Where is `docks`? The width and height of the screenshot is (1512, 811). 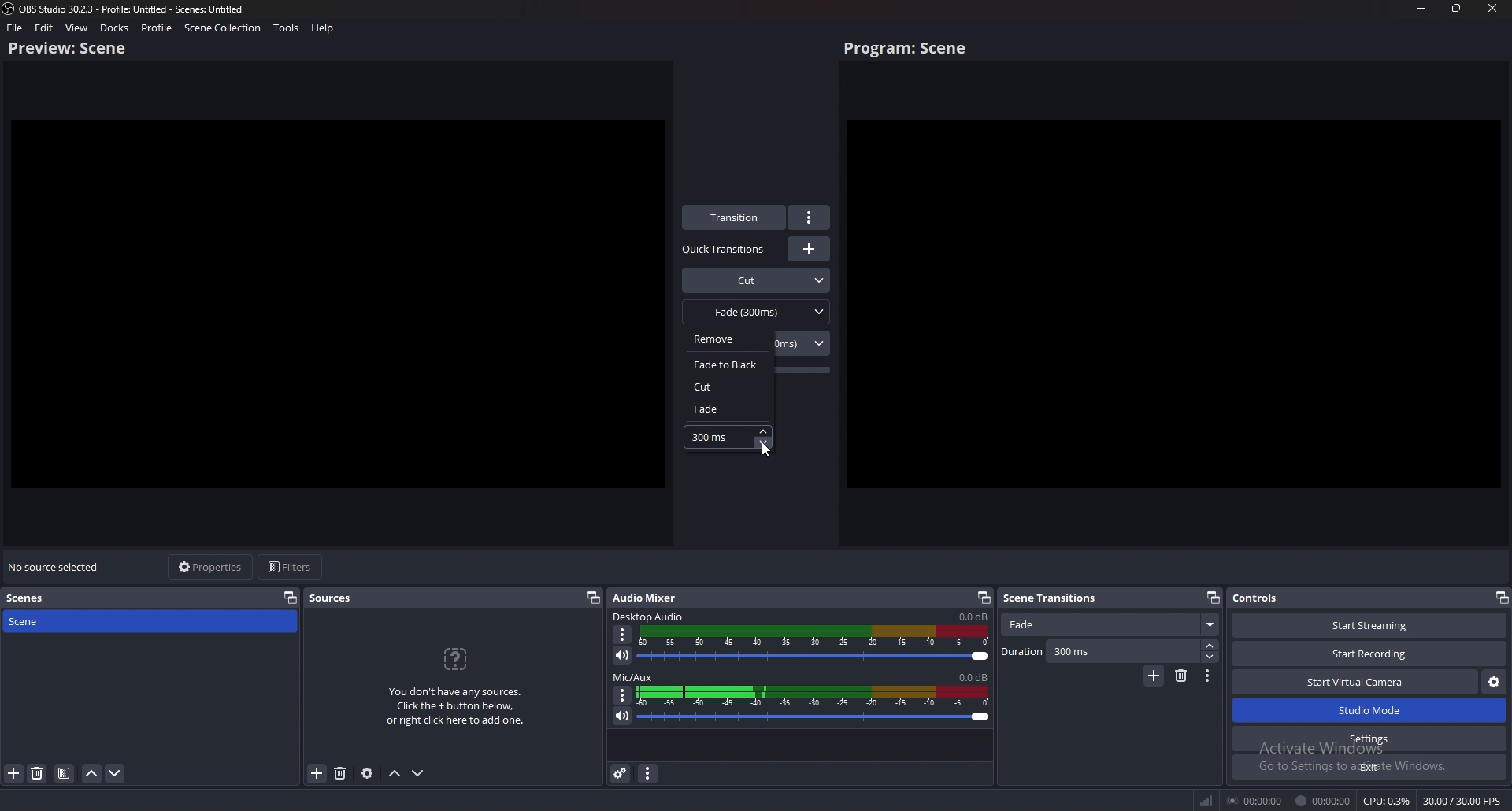
docks is located at coordinates (114, 28).